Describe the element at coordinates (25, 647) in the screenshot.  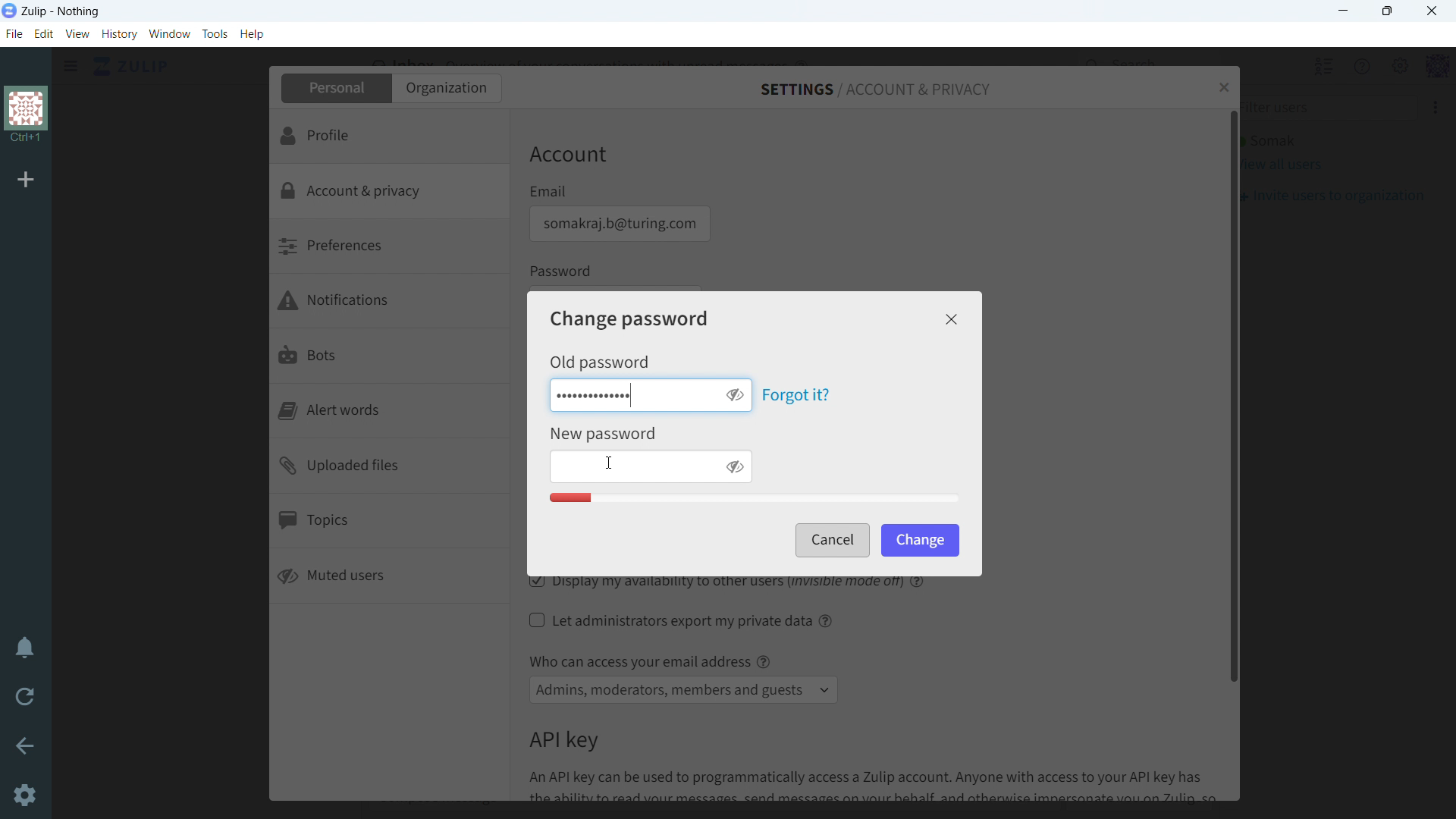
I see `enable do not disturb` at that location.